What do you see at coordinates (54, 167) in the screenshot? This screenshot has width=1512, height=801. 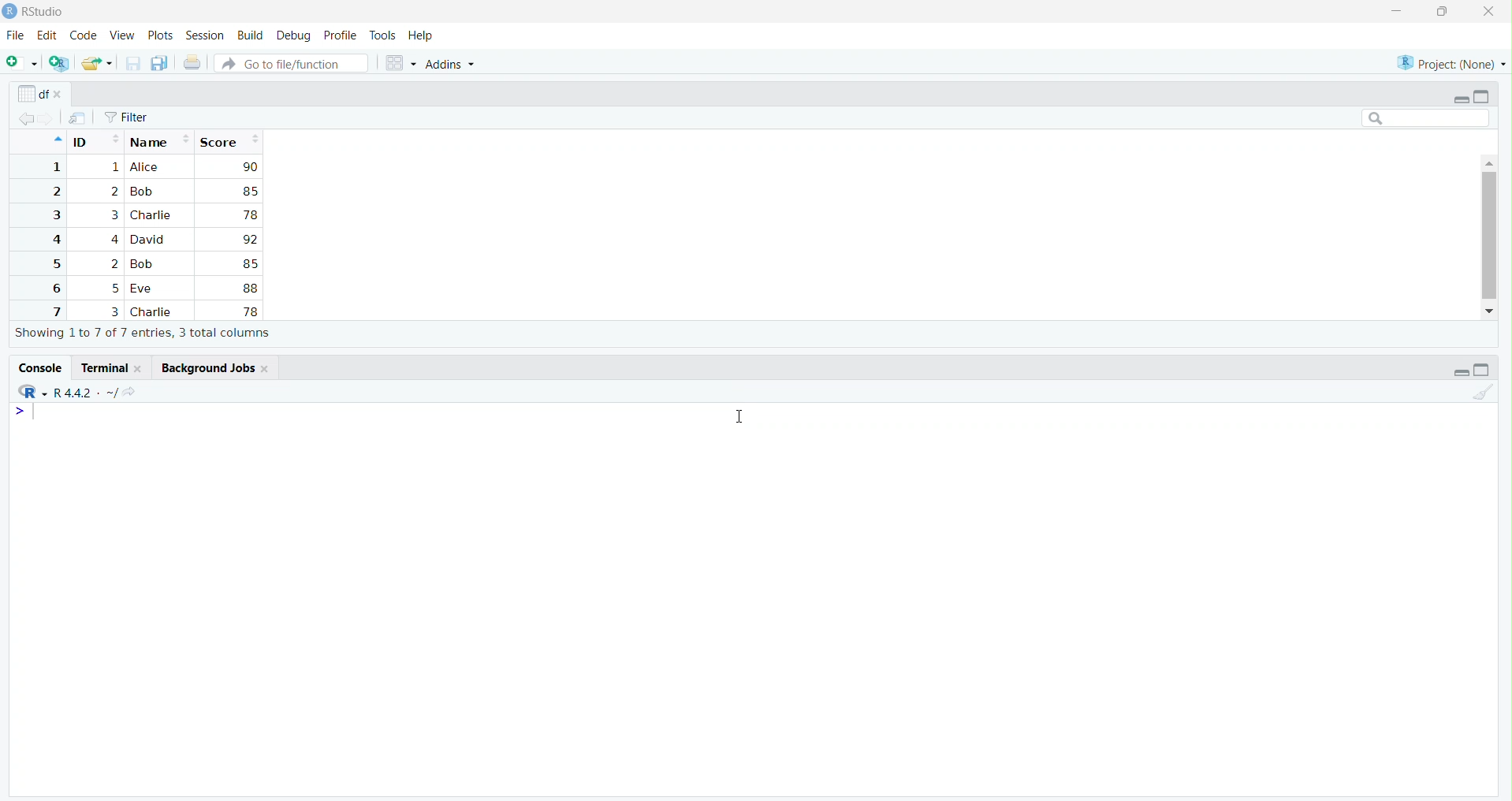 I see `1` at bounding box center [54, 167].